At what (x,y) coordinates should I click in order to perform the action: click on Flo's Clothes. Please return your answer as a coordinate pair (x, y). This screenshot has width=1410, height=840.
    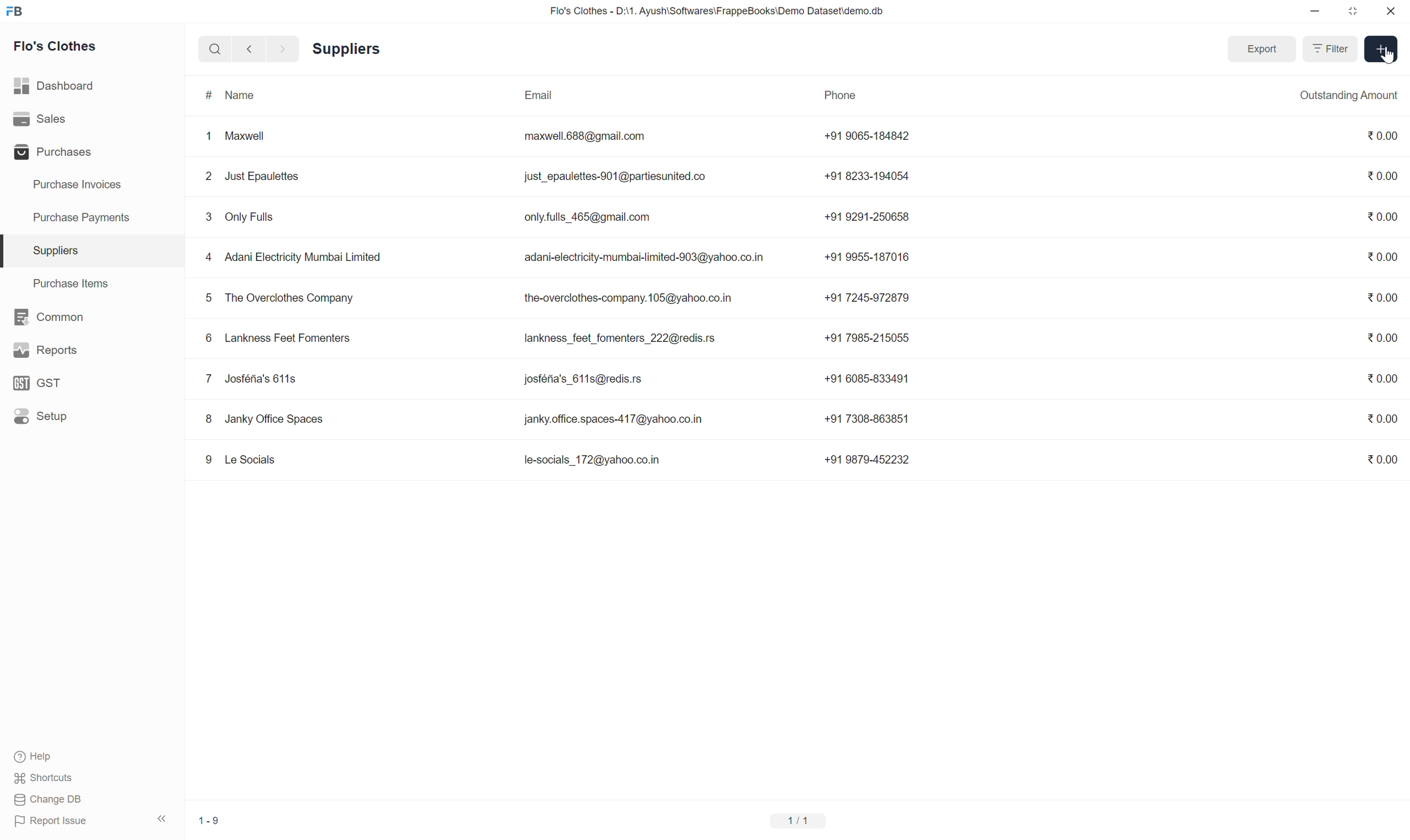
    Looking at the image, I should click on (55, 45).